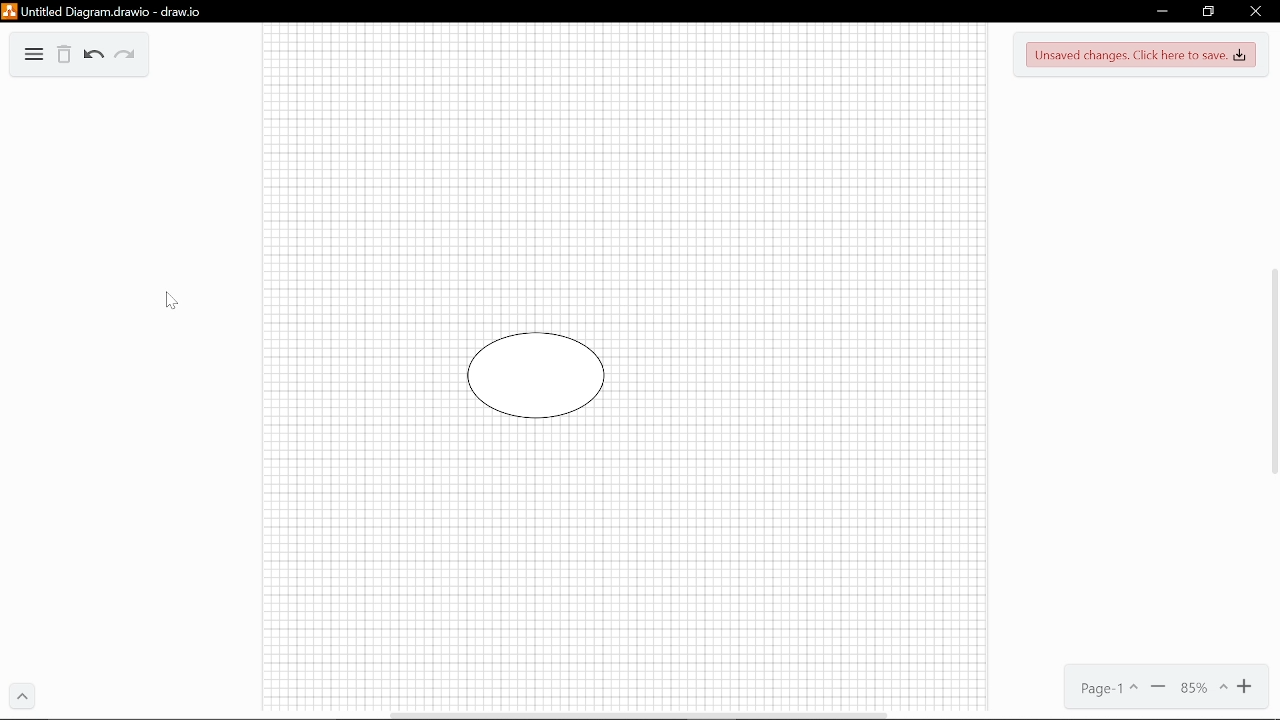 The width and height of the screenshot is (1280, 720). I want to click on Current zoom (85%), so click(1203, 690).